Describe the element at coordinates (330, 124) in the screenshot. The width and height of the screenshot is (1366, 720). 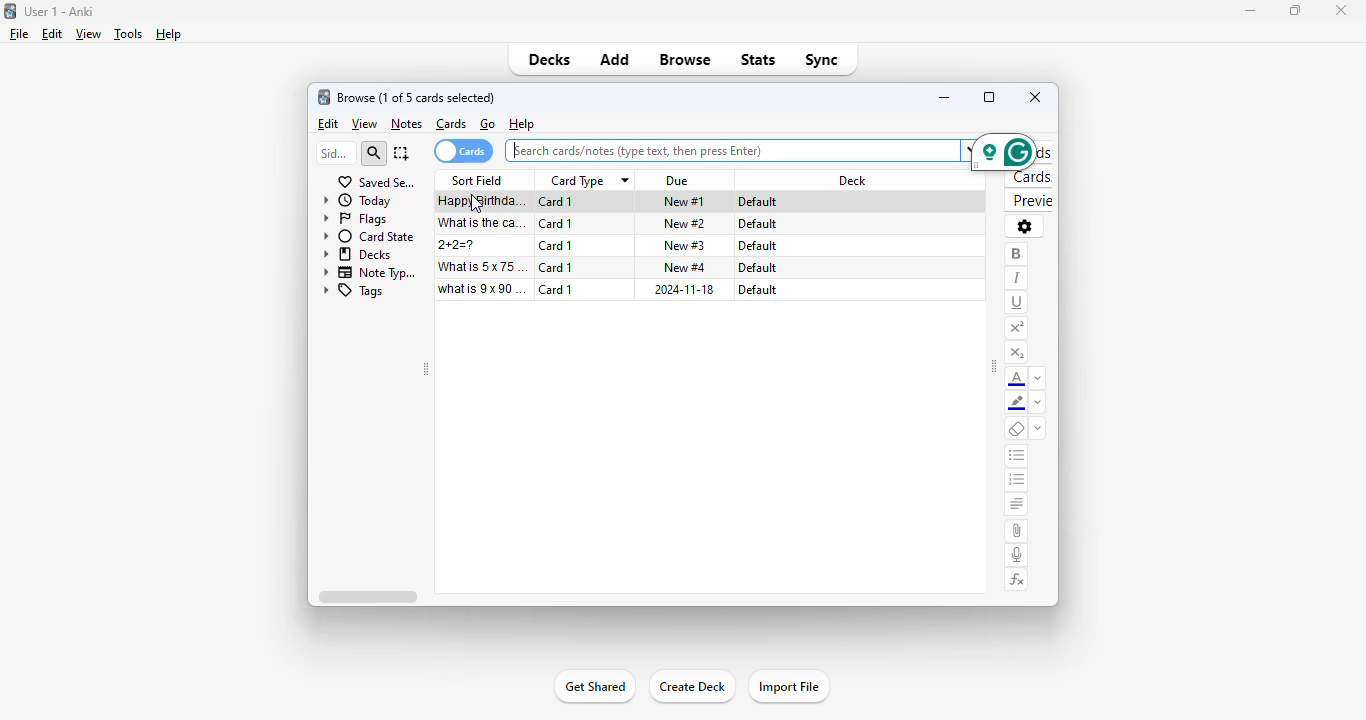
I see `edit` at that location.